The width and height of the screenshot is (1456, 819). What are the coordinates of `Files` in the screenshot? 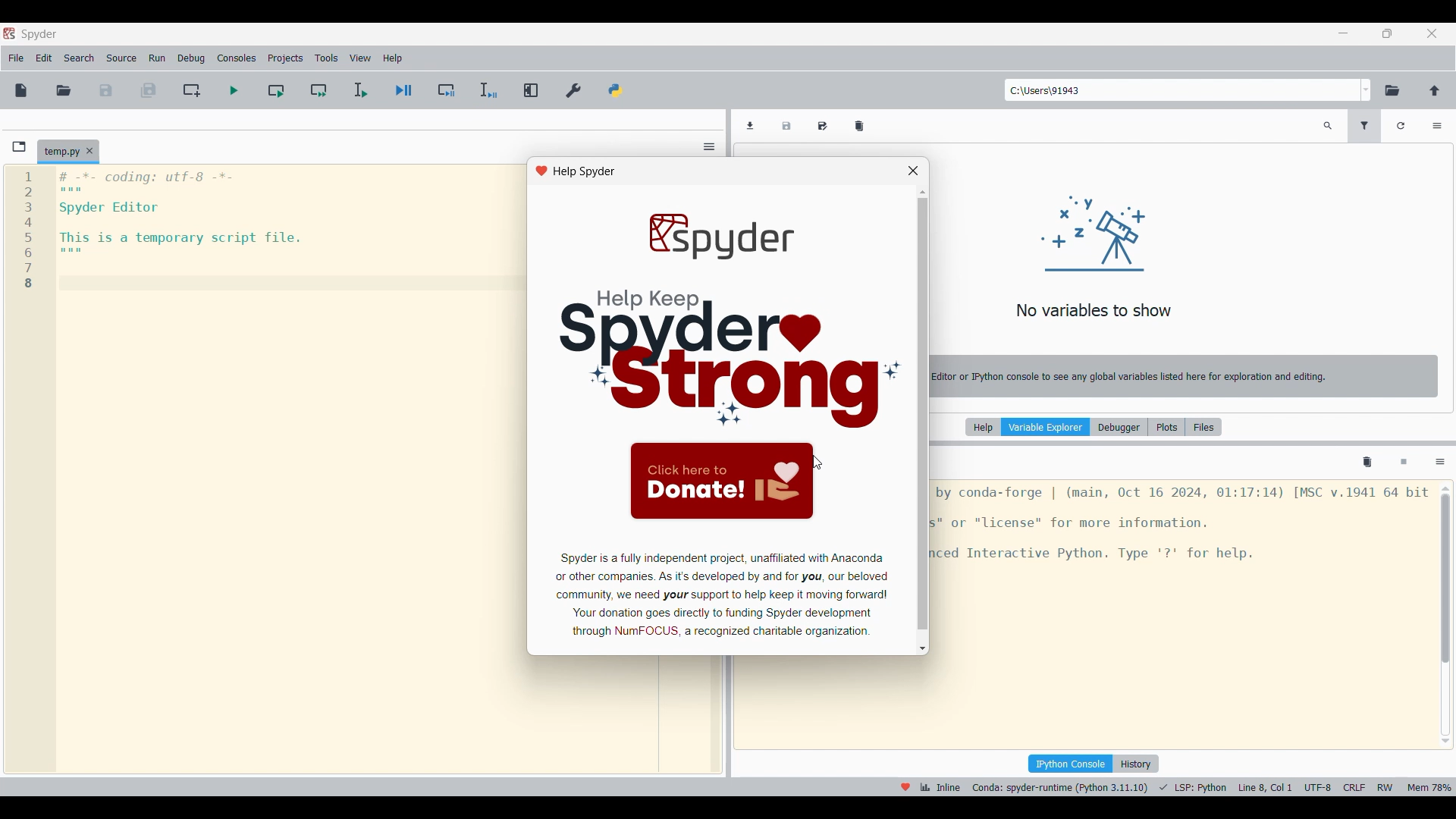 It's located at (1203, 427).